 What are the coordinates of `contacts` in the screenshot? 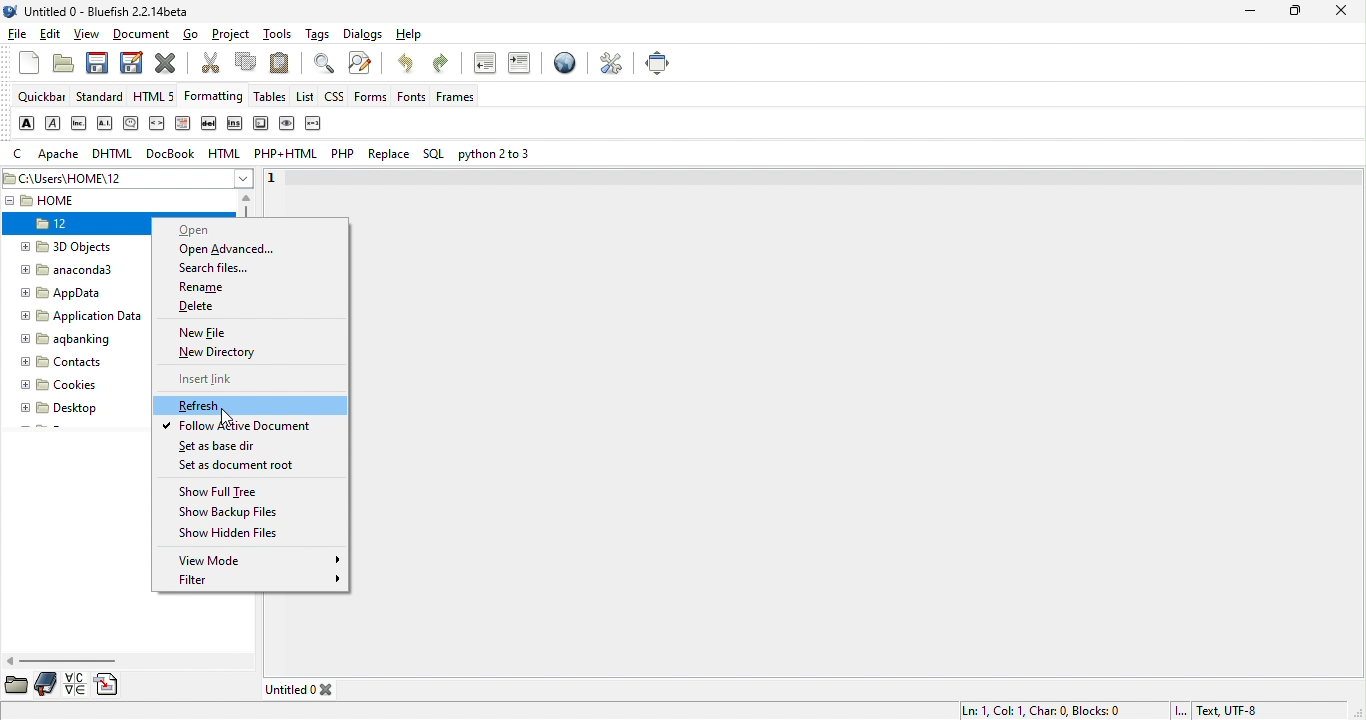 It's located at (65, 363).